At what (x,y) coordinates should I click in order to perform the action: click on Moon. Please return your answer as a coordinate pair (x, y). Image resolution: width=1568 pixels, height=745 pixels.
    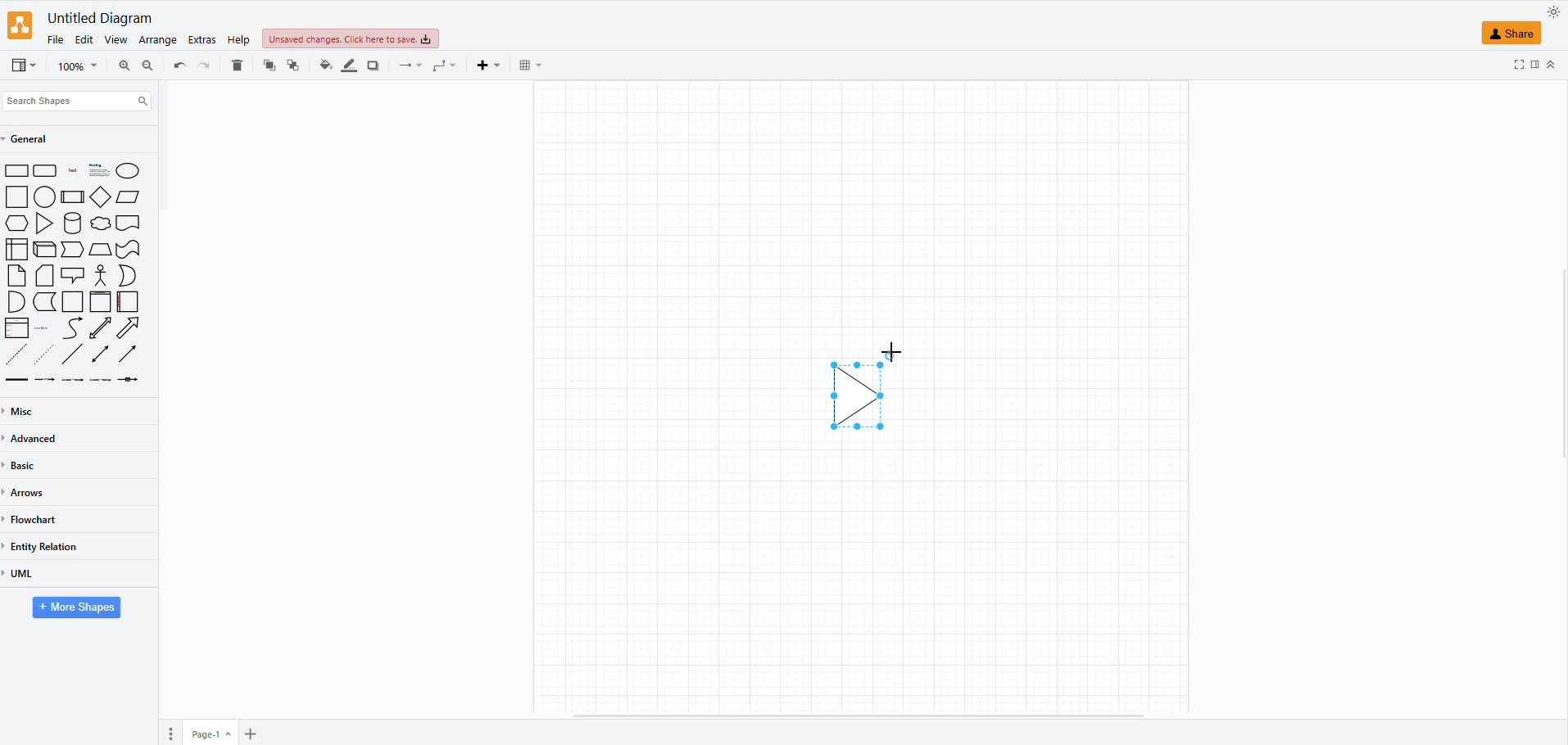
    Looking at the image, I should click on (128, 276).